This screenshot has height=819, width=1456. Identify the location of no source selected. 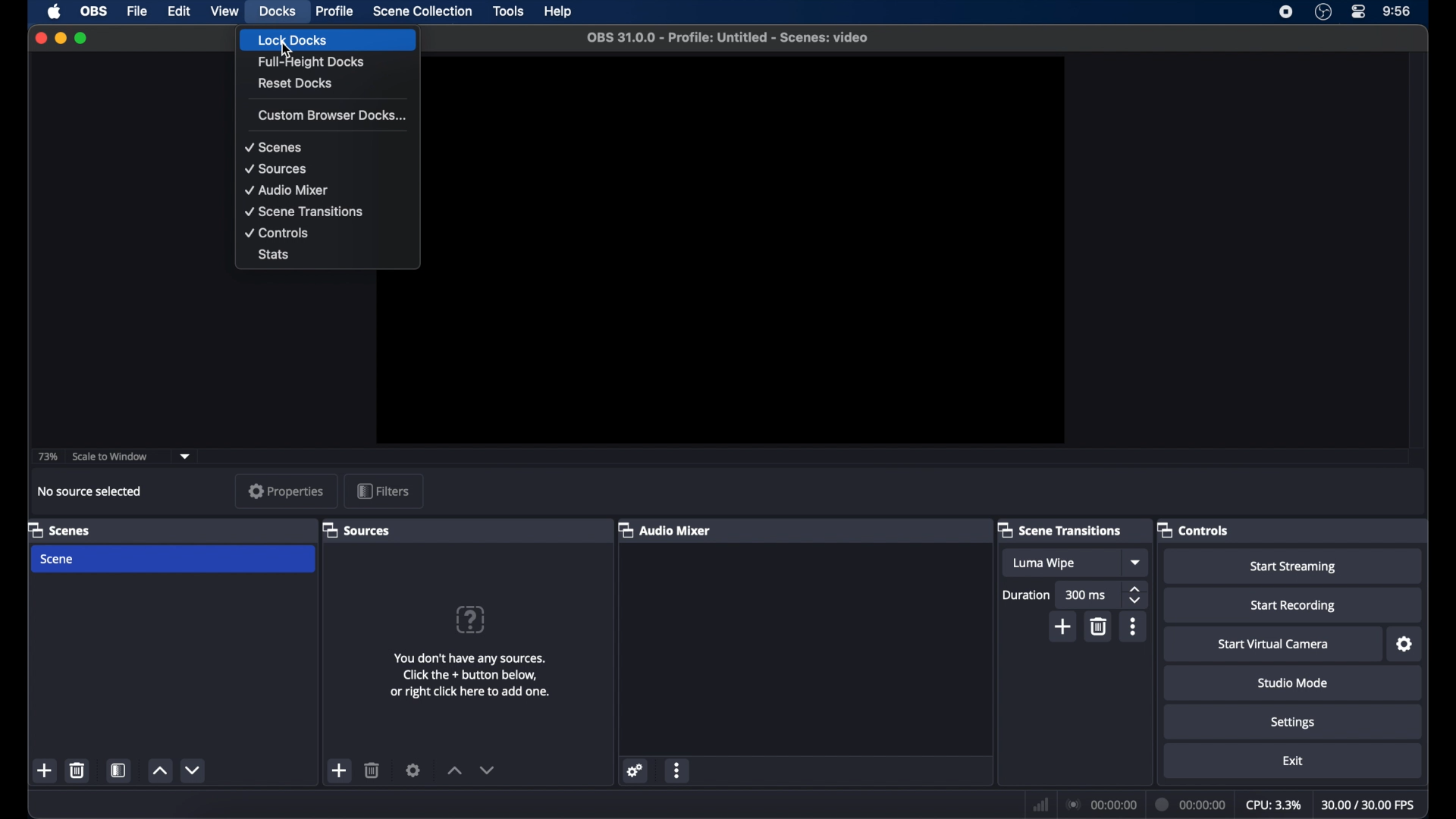
(93, 491).